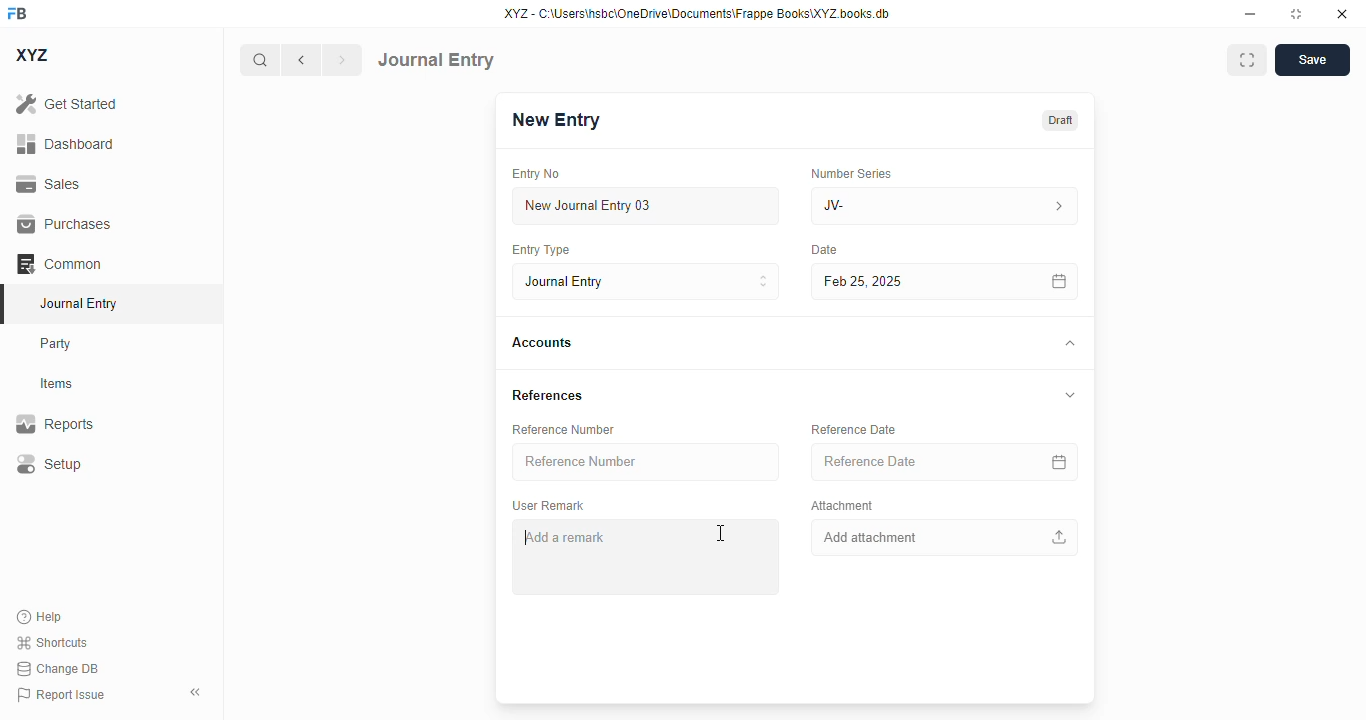 The width and height of the screenshot is (1366, 720). What do you see at coordinates (56, 344) in the screenshot?
I see `party` at bounding box center [56, 344].